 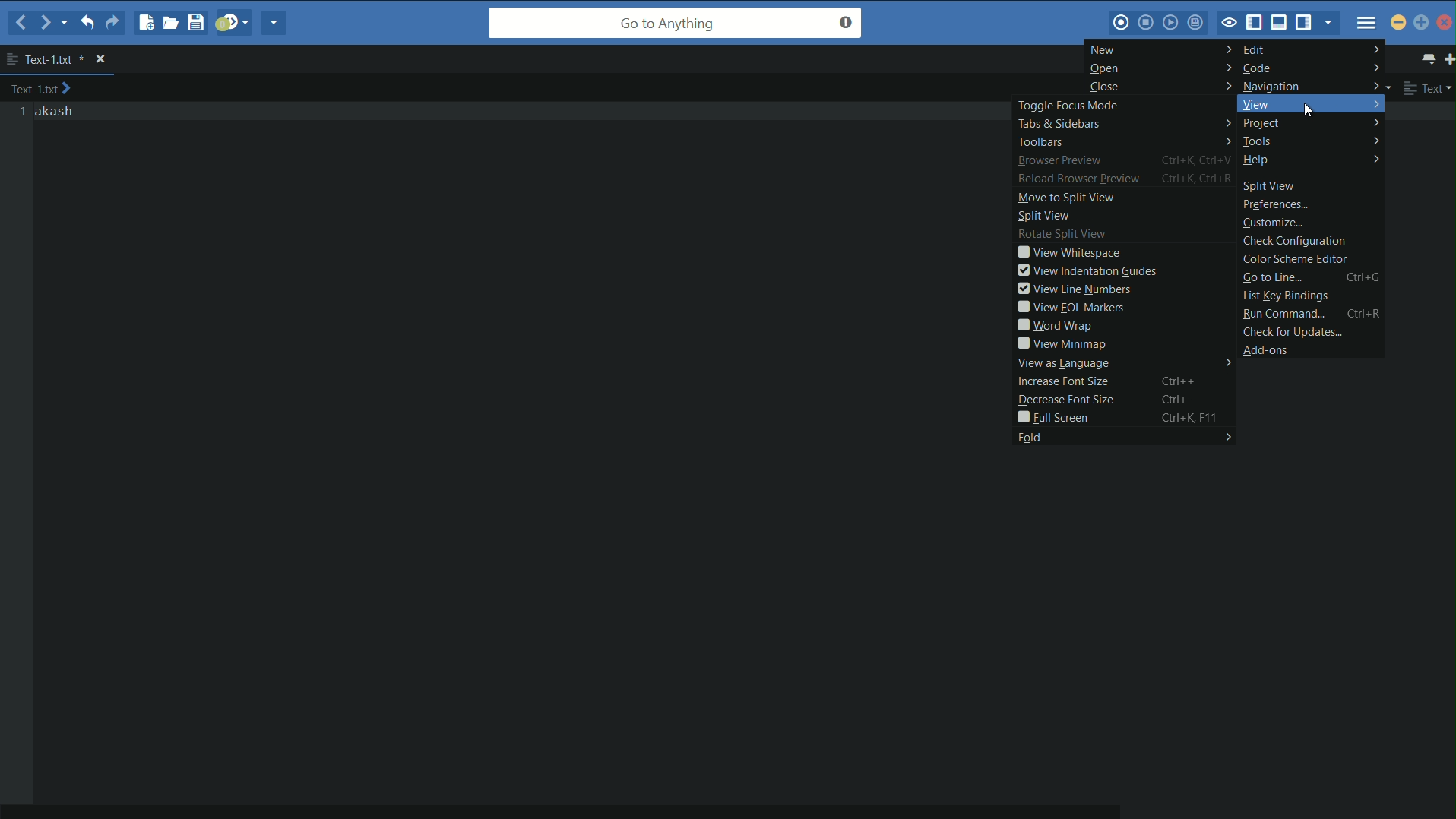 What do you see at coordinates (112, 23) in the screenshot?
I see `redo` at bounding box center [112, 23].